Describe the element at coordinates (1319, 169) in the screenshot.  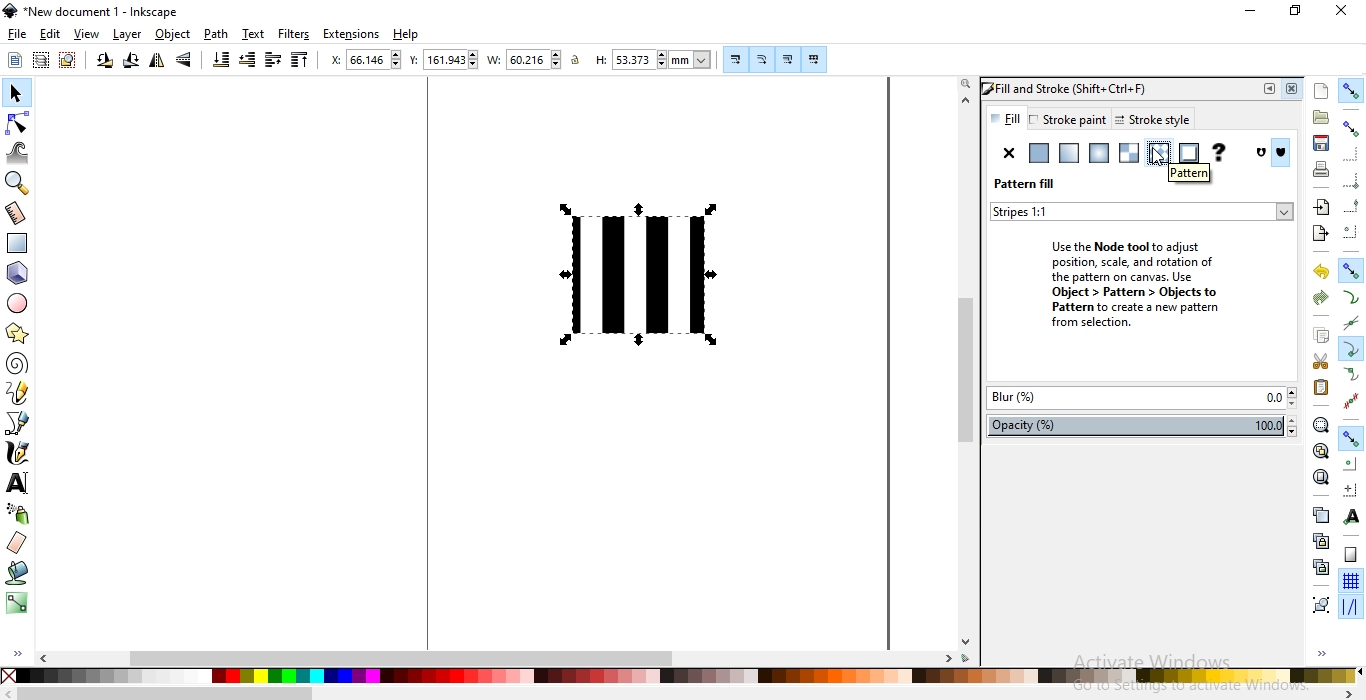
I see `print document` at that location.